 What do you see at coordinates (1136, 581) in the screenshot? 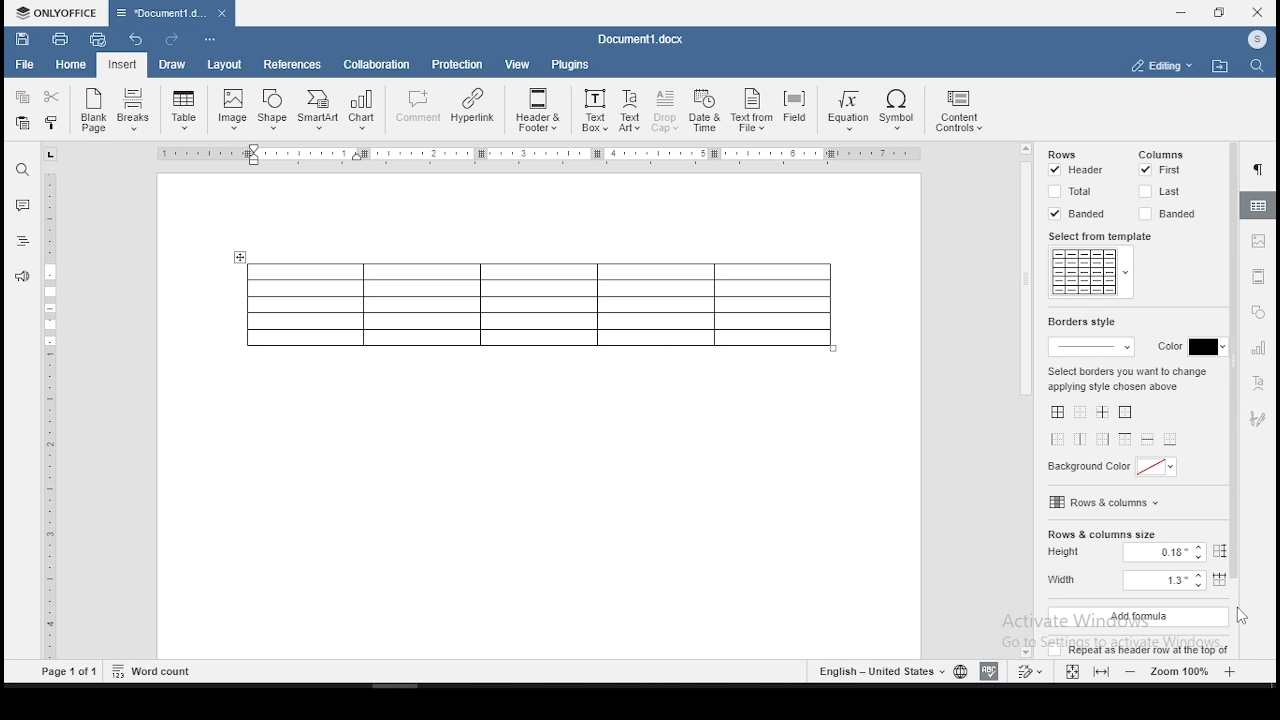
I see `width` at bounding box center [1136, 581].